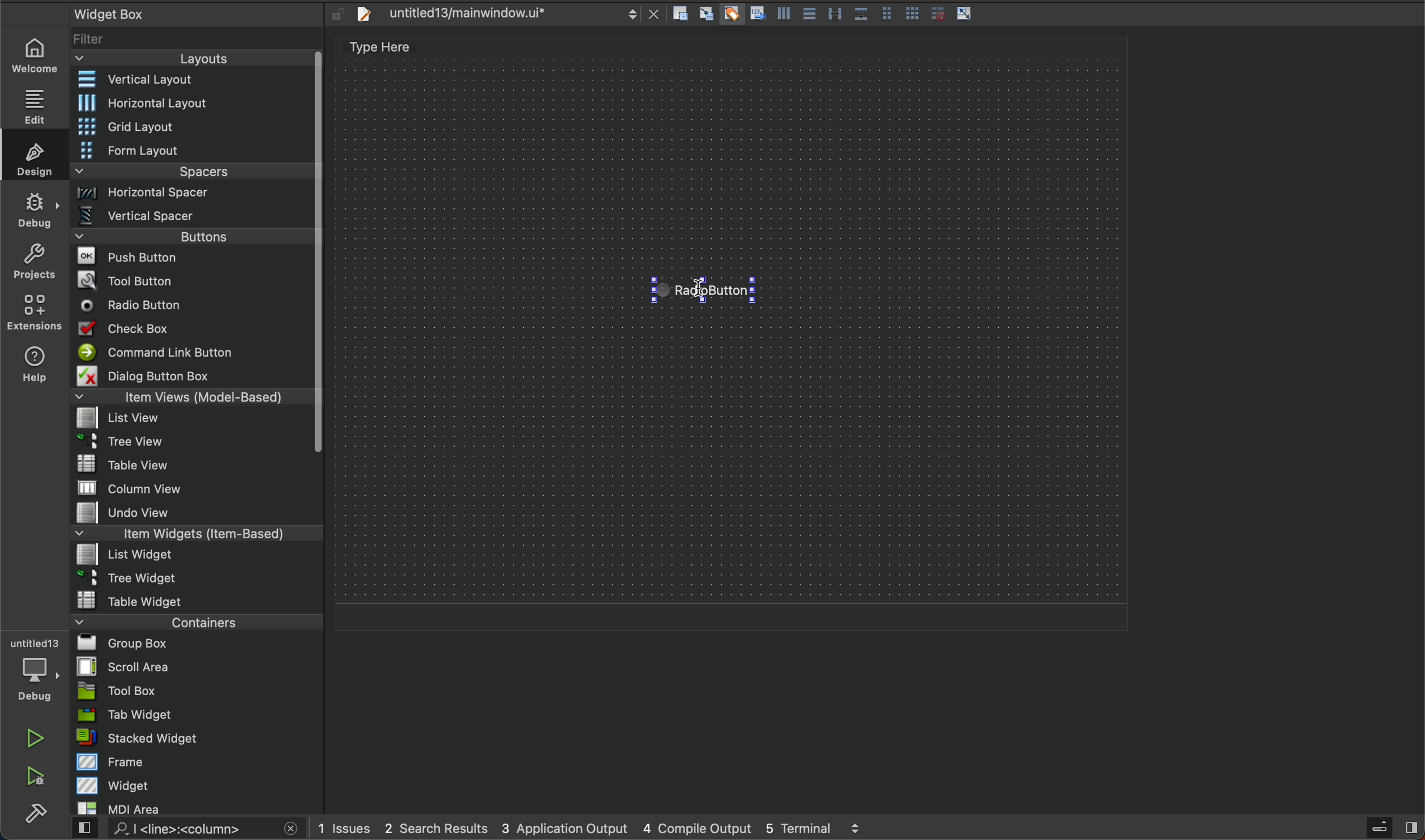  I want to click on run, so click(37, 738).